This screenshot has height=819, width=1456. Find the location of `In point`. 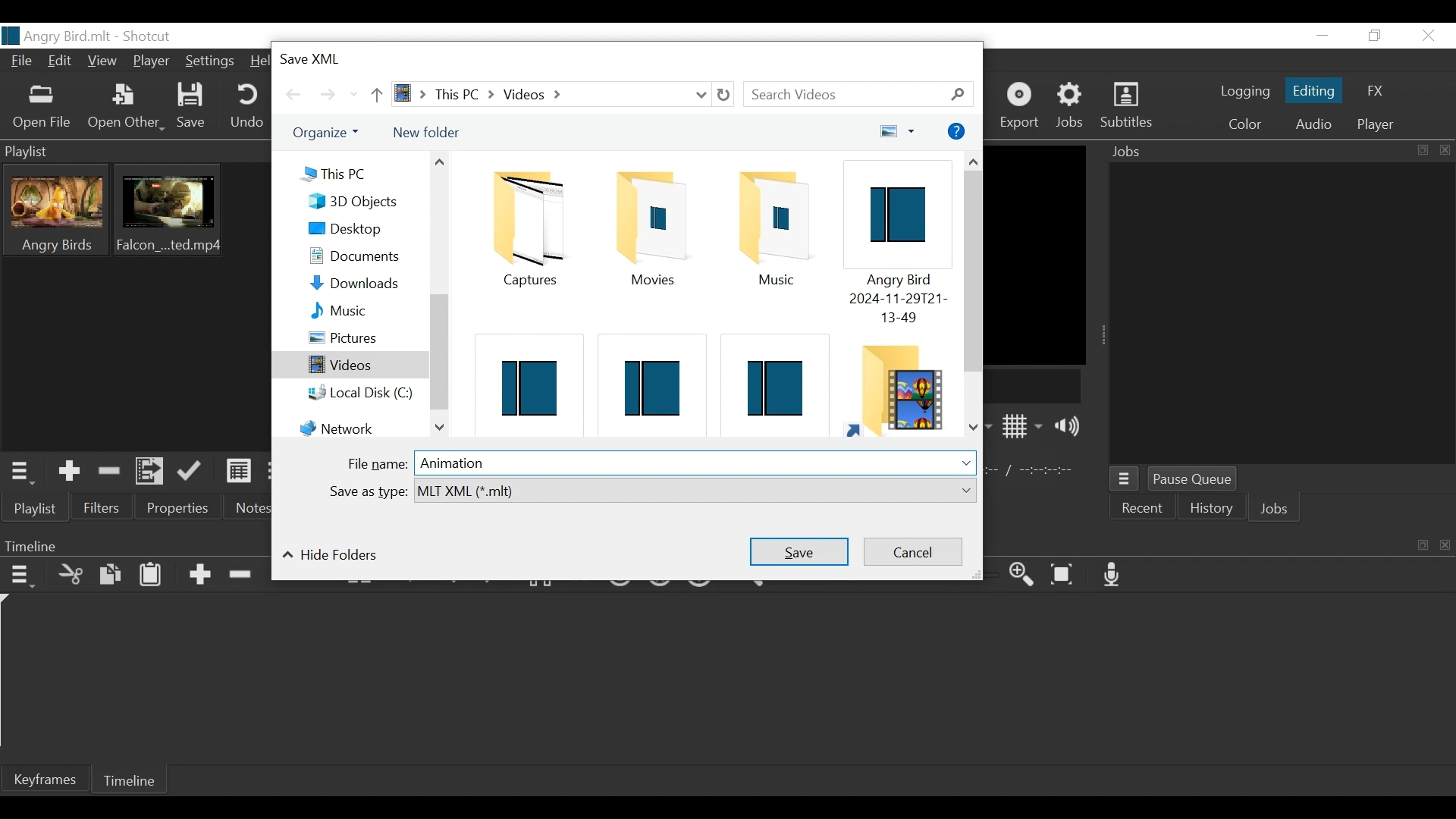

In point is located at coordinates (1036, 469).